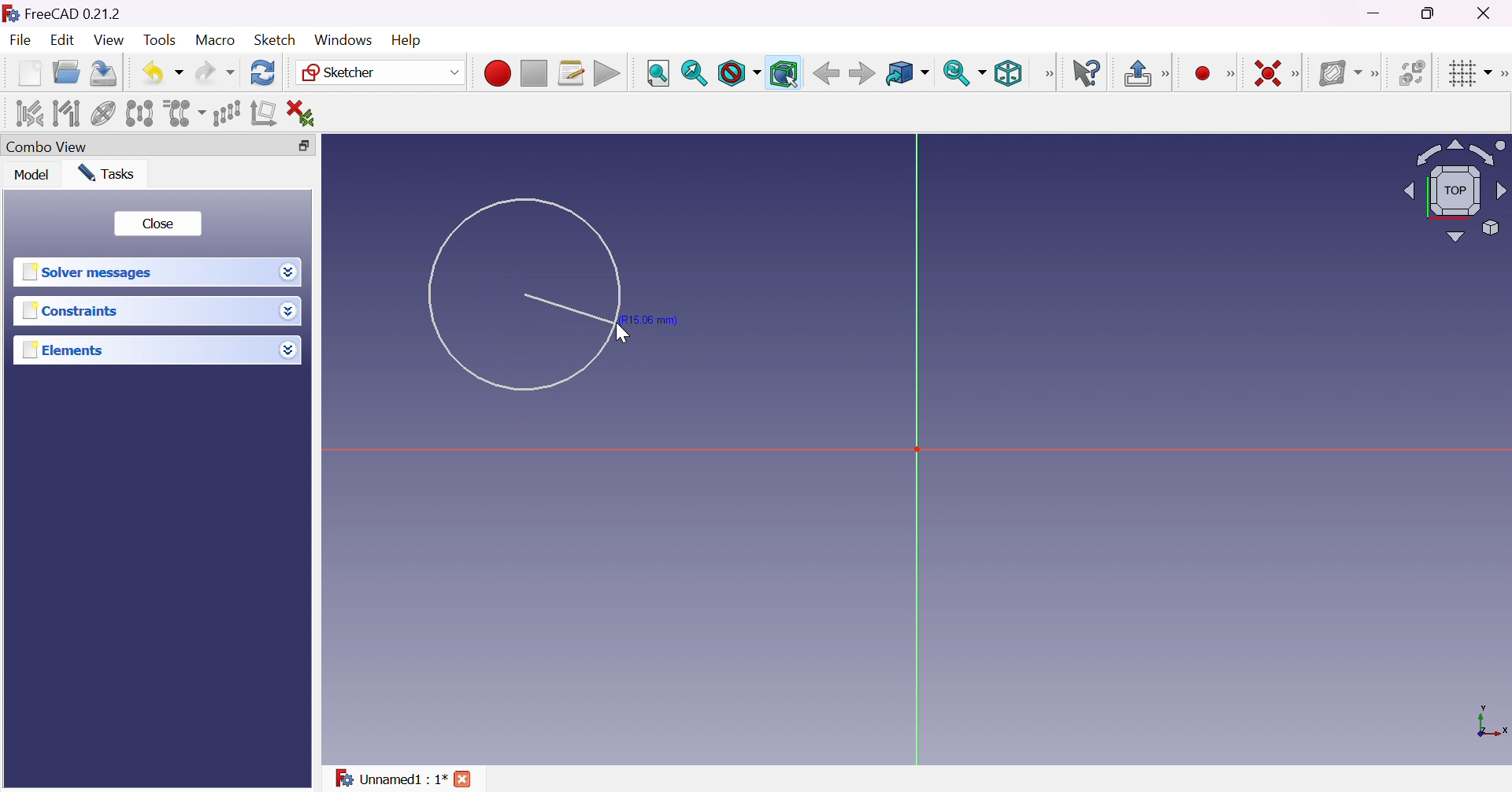 The width and height of the screenshot is (1512, 792). What do you see at coordinates (215, 72) in the screenshot?
I see `Redo` at bounding box center [215, 72].